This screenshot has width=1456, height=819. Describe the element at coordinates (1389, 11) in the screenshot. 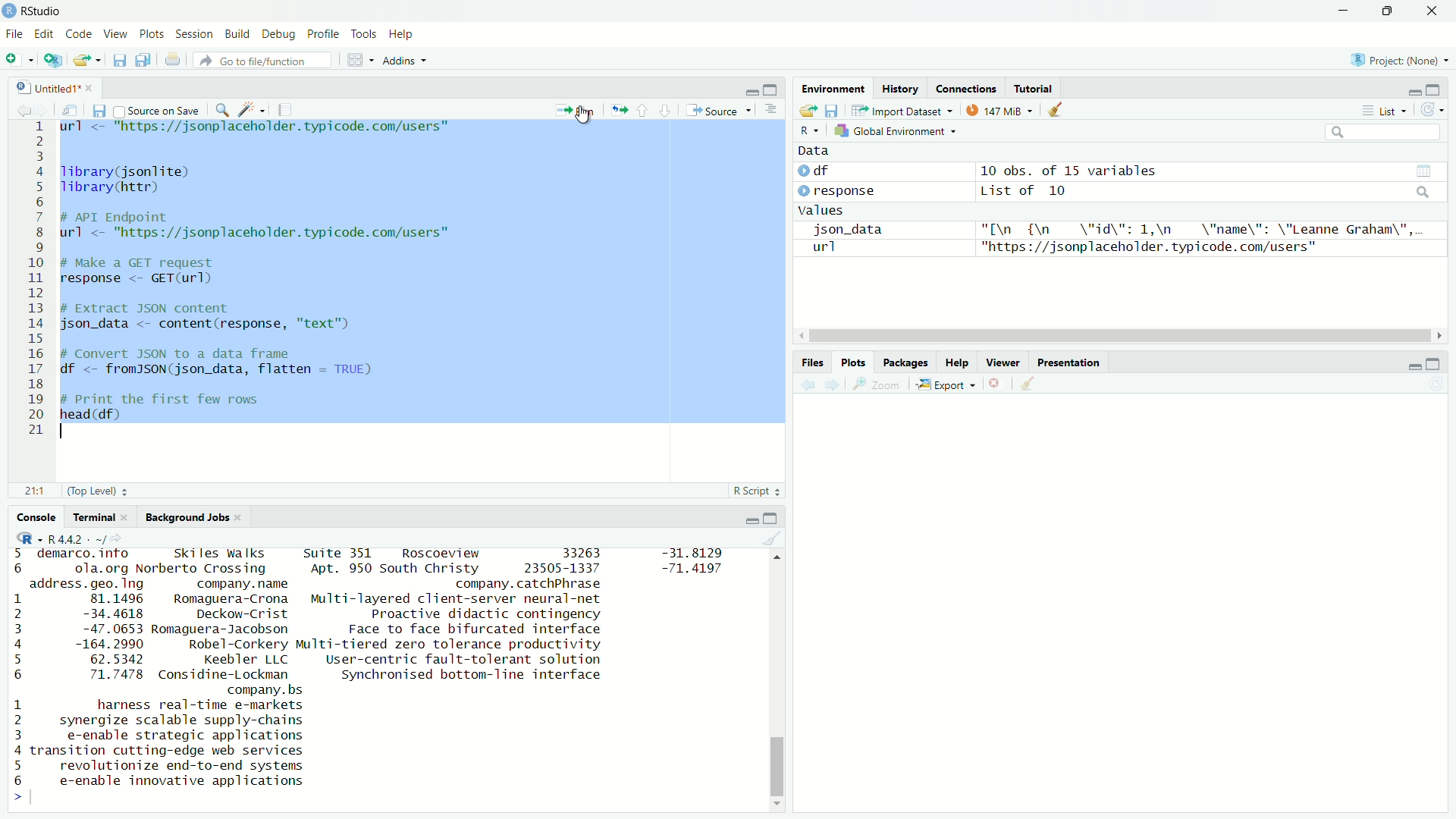

I see `Restore Down` at that location.